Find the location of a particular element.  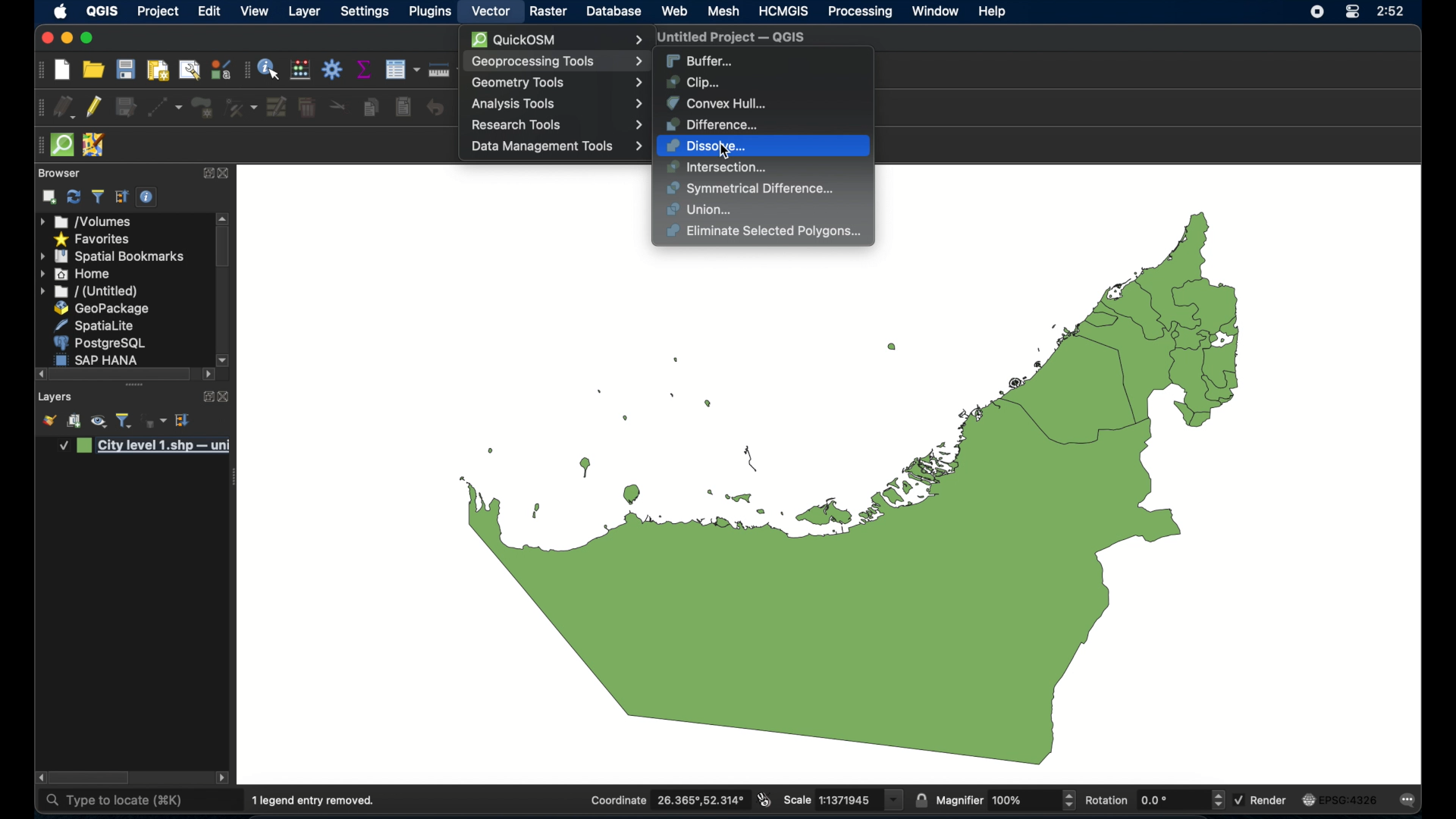

digitizing toolbar is located at coordinates (41, 108).